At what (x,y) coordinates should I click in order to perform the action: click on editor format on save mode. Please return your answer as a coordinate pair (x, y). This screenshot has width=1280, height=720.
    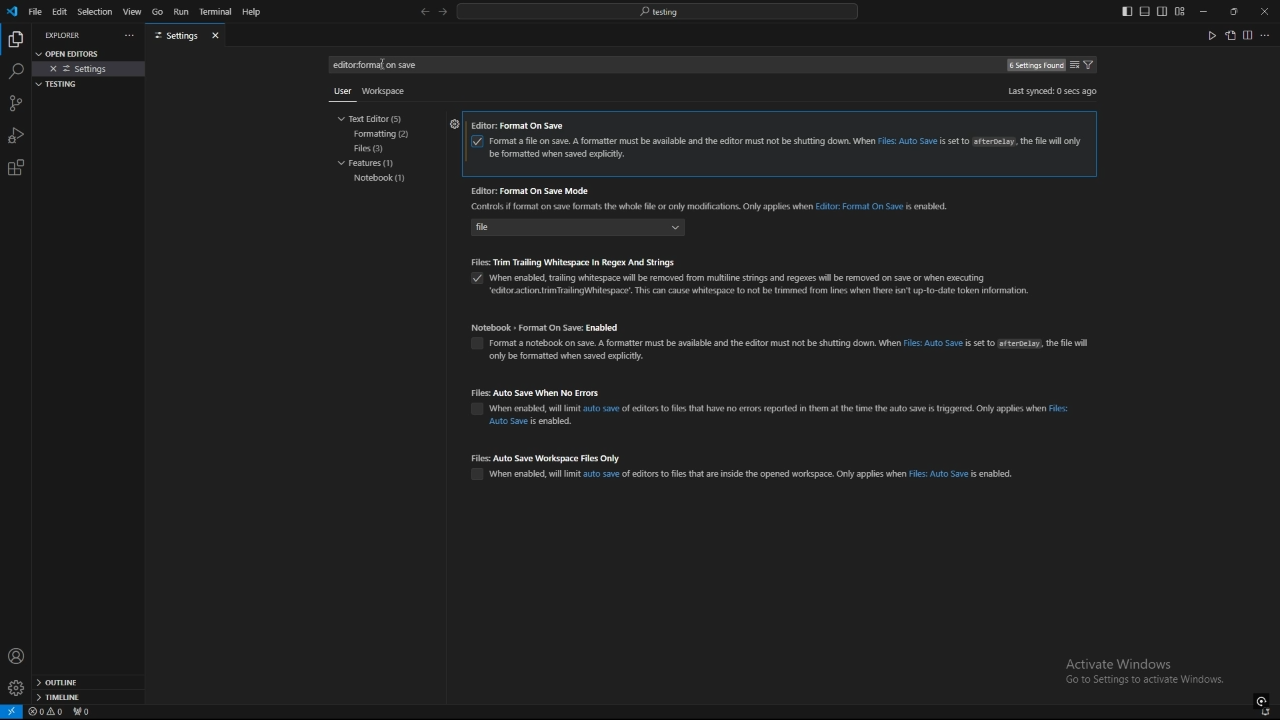
    Looking at the image, I should click on (719, 190).